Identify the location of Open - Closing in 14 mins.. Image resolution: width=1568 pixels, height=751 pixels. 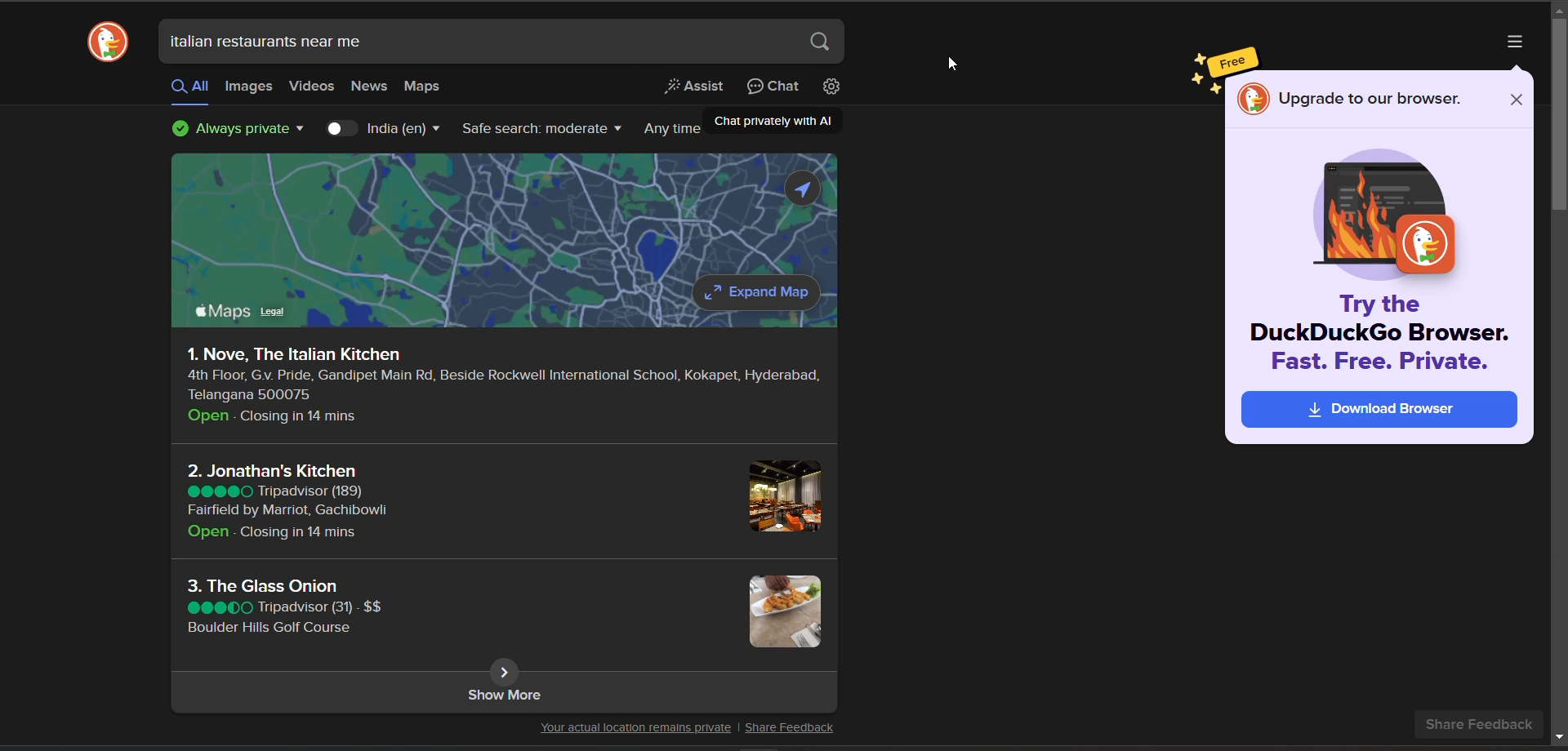
(273, 416).